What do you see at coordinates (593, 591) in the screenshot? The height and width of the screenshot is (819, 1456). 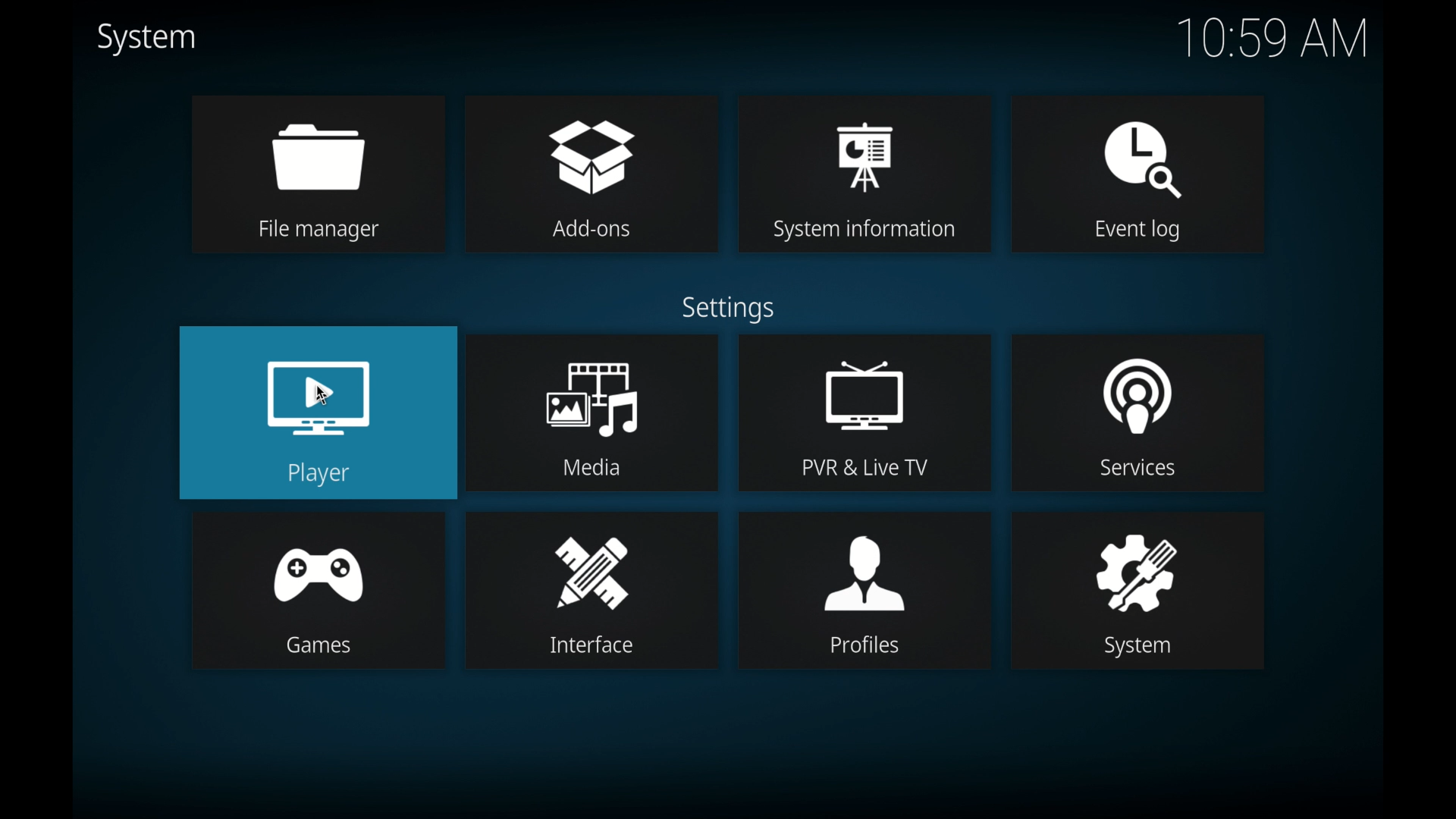 I see `interface` at bounding box center [593, 591].